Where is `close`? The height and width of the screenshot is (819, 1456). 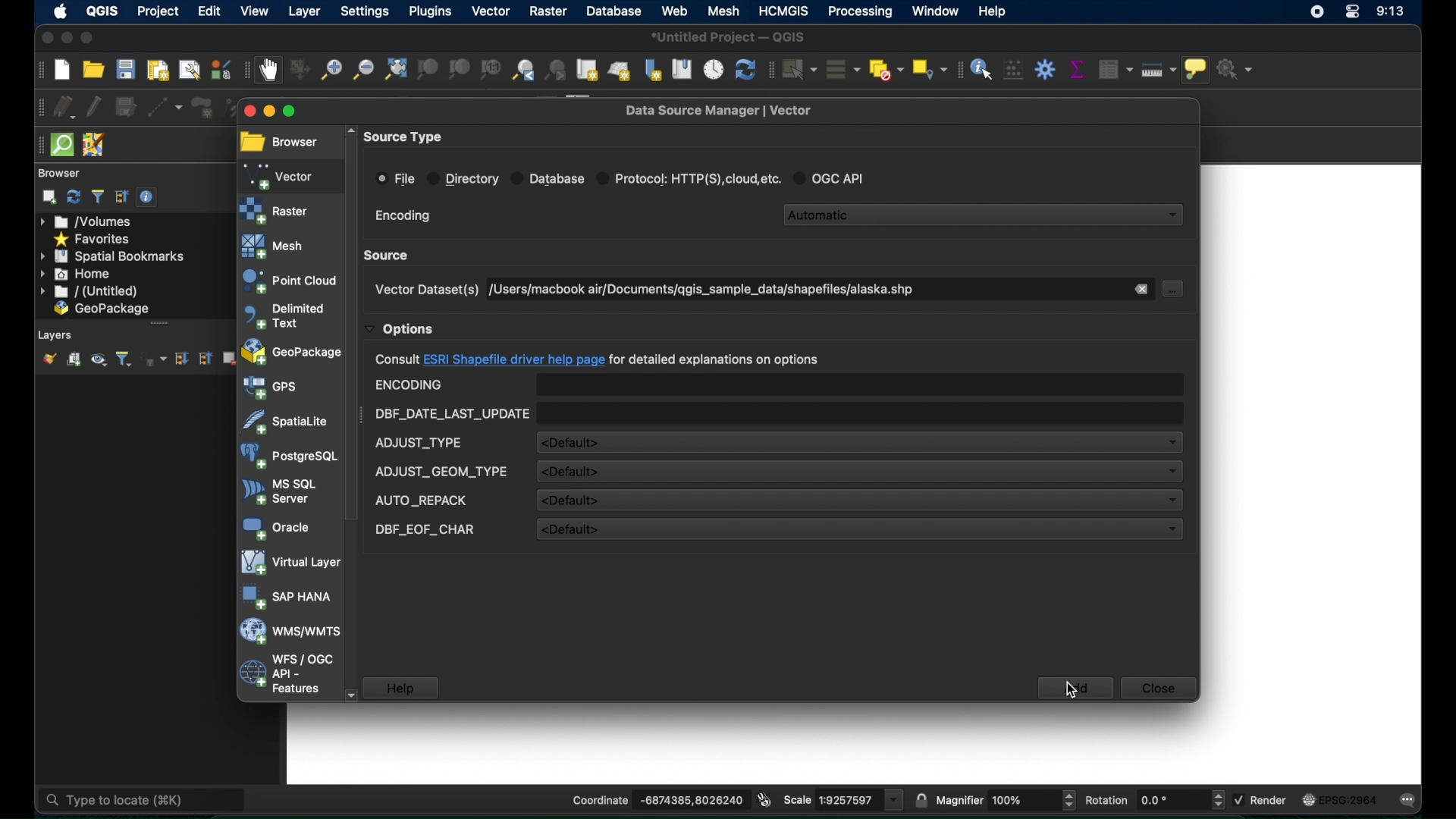
close is located at coordinates (1159, 690).